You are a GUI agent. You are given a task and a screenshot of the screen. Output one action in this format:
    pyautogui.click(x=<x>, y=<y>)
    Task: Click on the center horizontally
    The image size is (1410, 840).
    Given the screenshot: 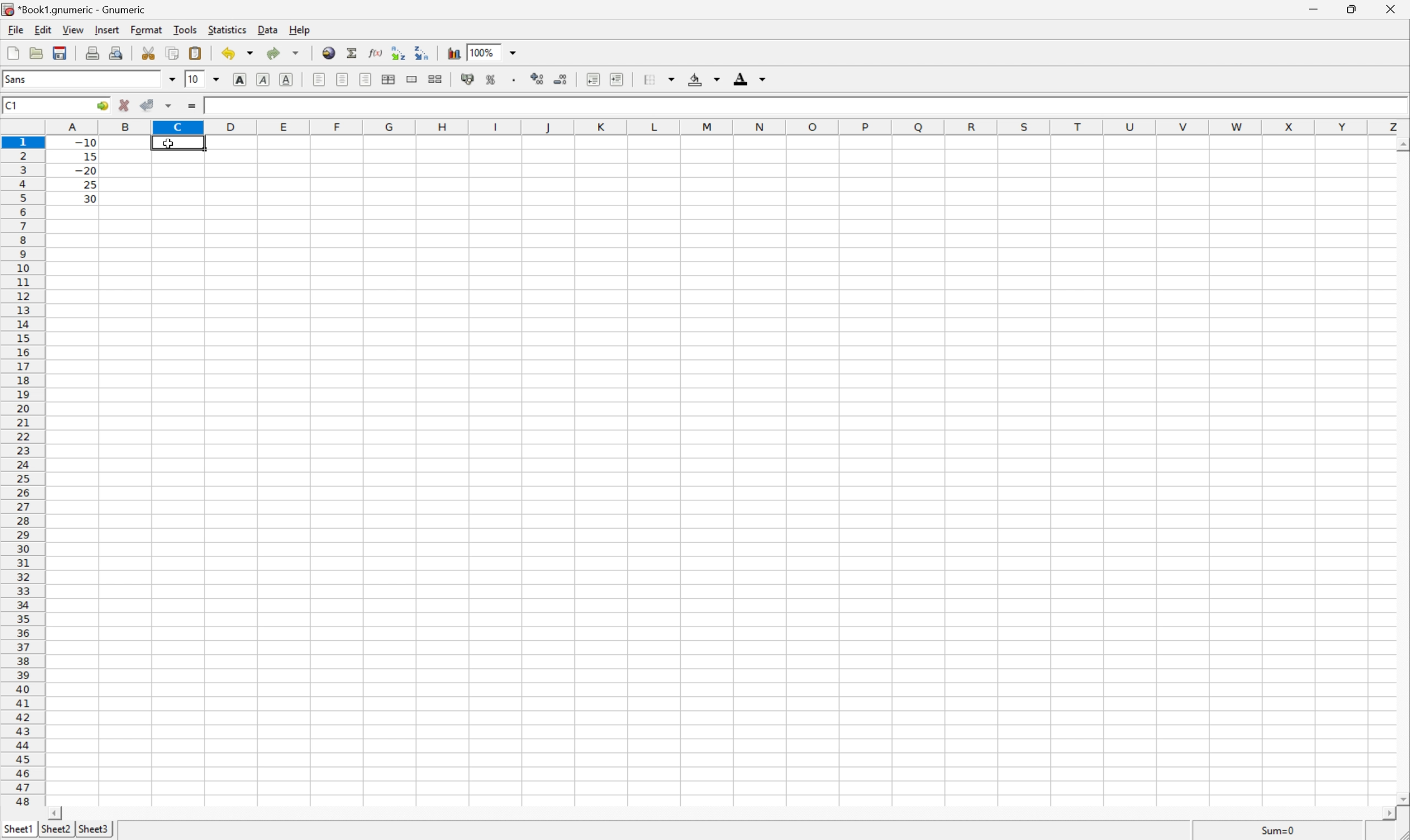 What is the action you would take?
    pyautogui.click(x=343, y=79)
    